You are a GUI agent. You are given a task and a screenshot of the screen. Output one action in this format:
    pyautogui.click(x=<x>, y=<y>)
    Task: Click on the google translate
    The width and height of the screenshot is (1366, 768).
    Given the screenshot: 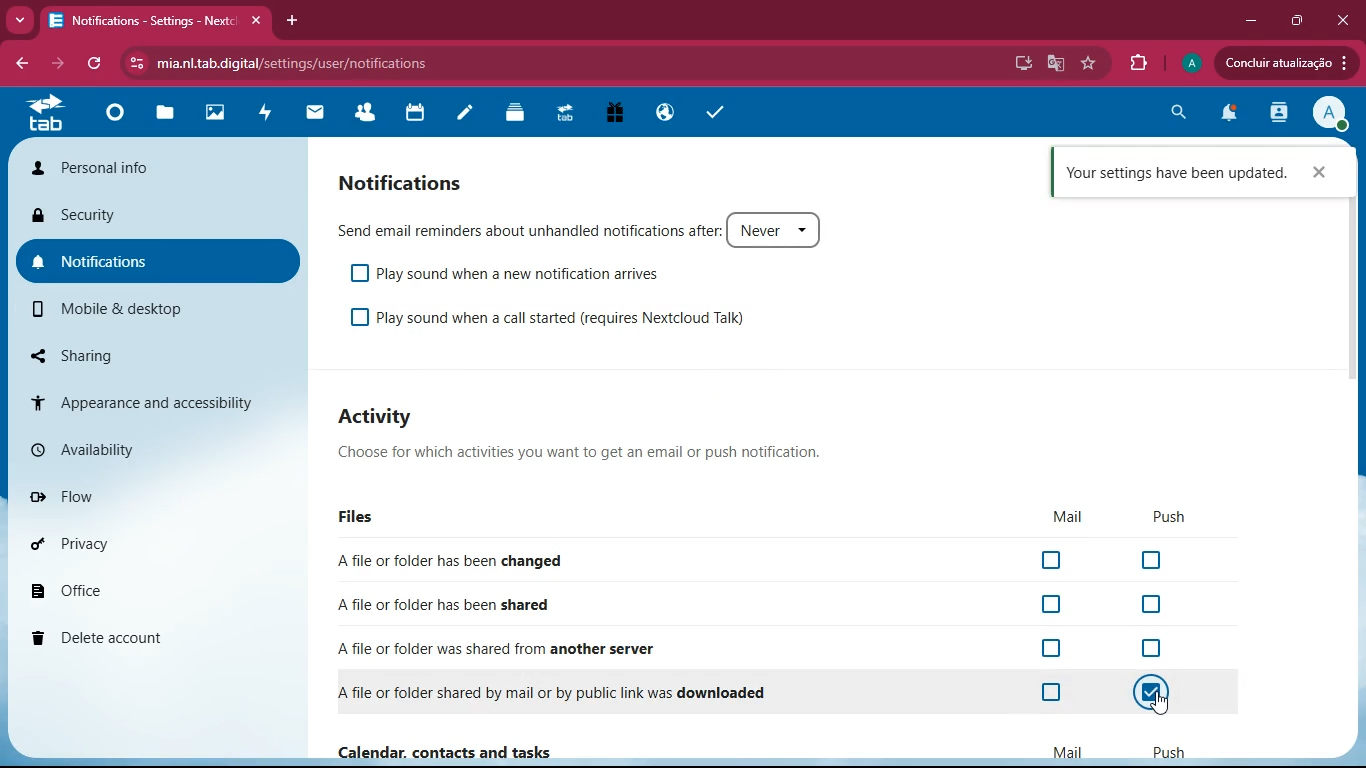 What is the action you would take?
    pyautogui.click(x=1054, y=62)
    